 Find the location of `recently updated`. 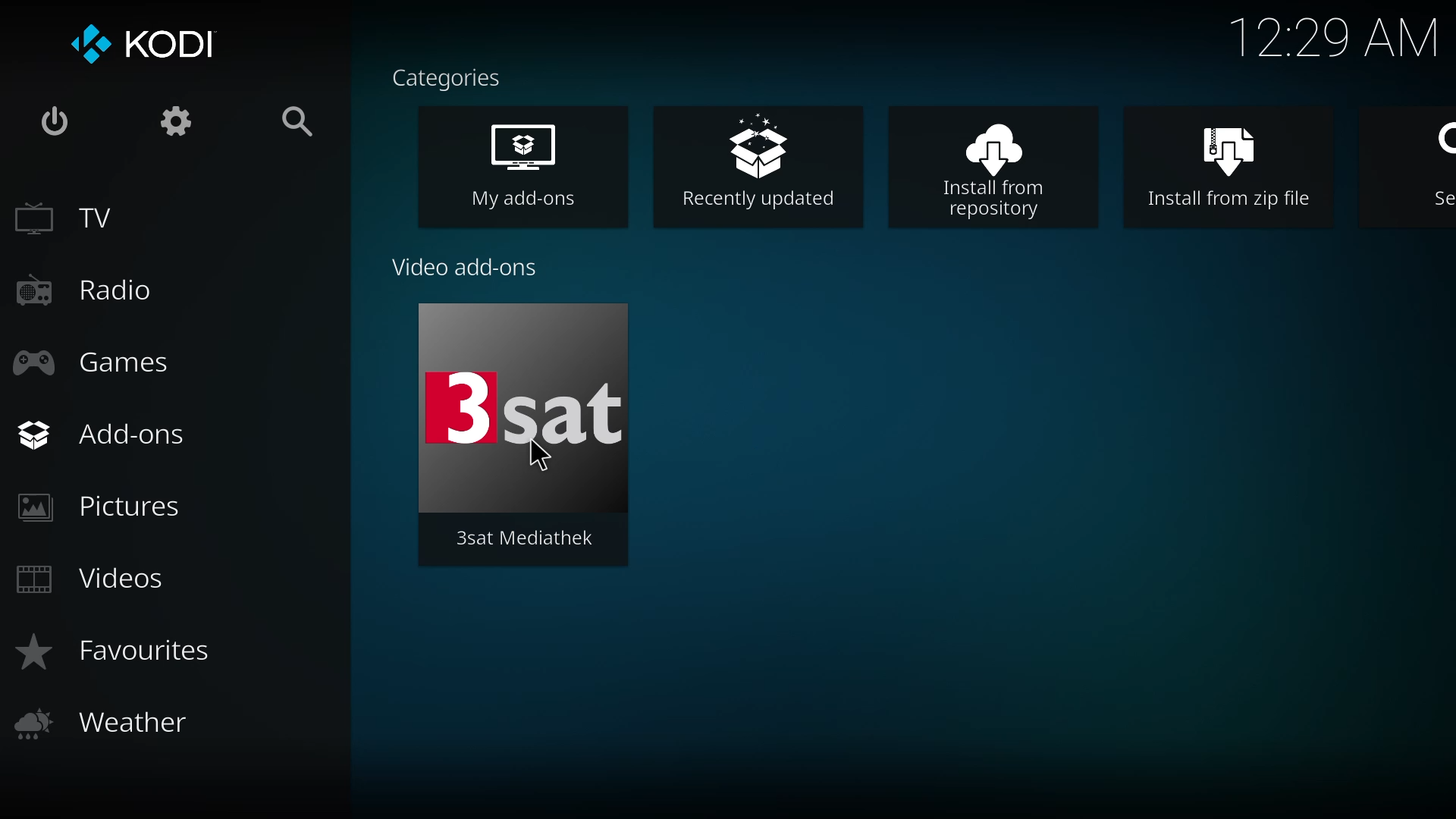

recently updated is located at coordinates (757, 161).